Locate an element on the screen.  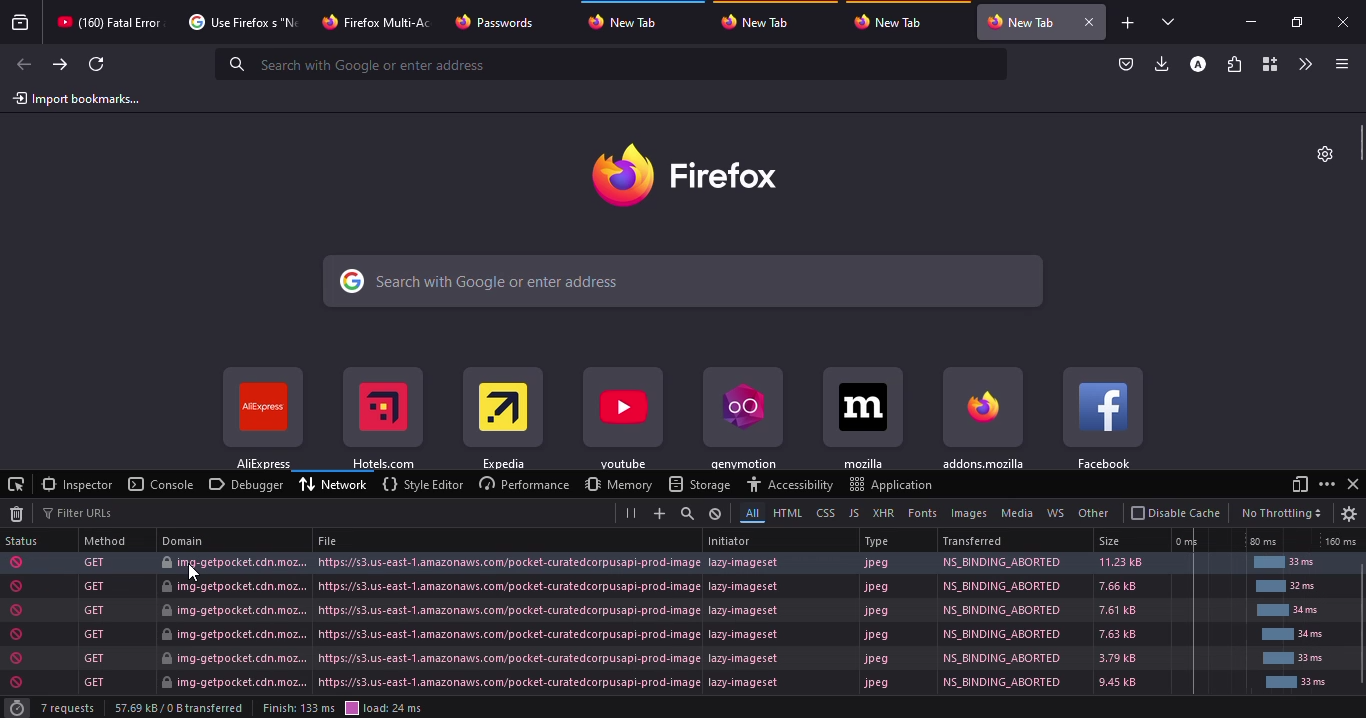
tab is located at coordinates (765, 22).